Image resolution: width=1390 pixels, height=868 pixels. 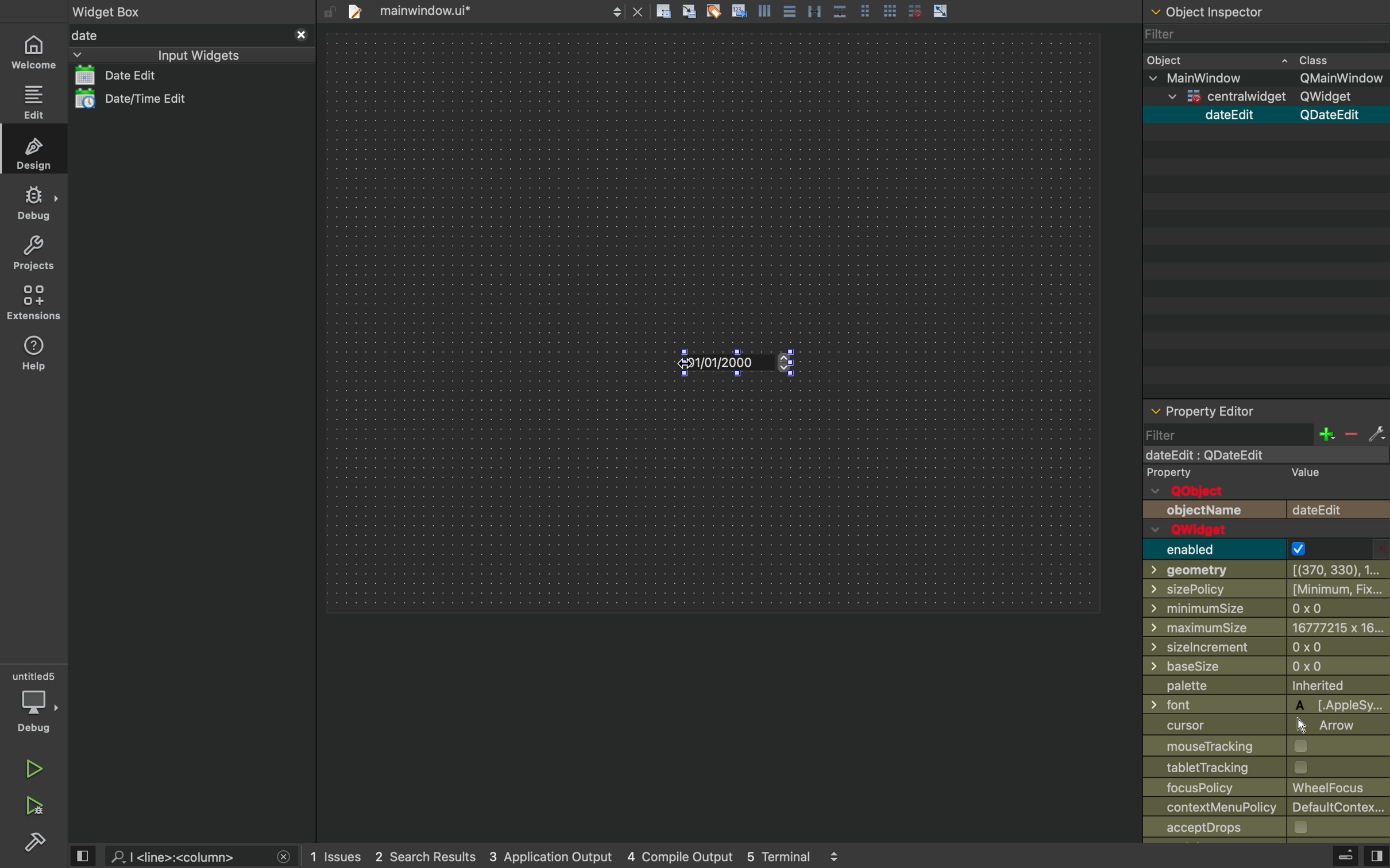 What do you see at coordinates (37, 805) in the screenshot?
I see `debug and run` at bounding box center [37, 805].